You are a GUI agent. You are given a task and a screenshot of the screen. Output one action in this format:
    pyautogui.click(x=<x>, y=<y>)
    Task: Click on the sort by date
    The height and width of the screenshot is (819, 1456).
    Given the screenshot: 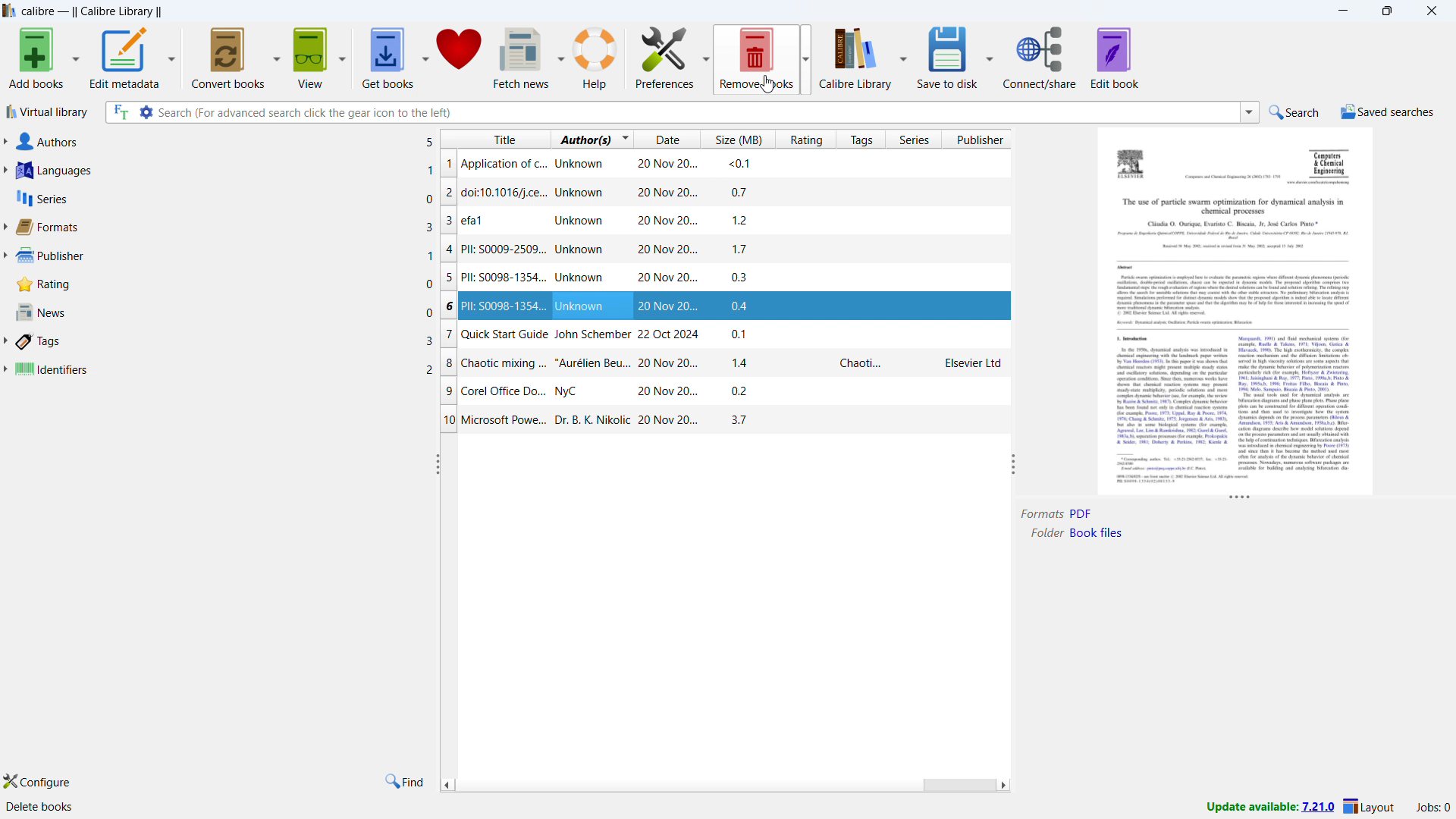 What is the action you would take?
    pyautogui.click(x=666, y=139)
    